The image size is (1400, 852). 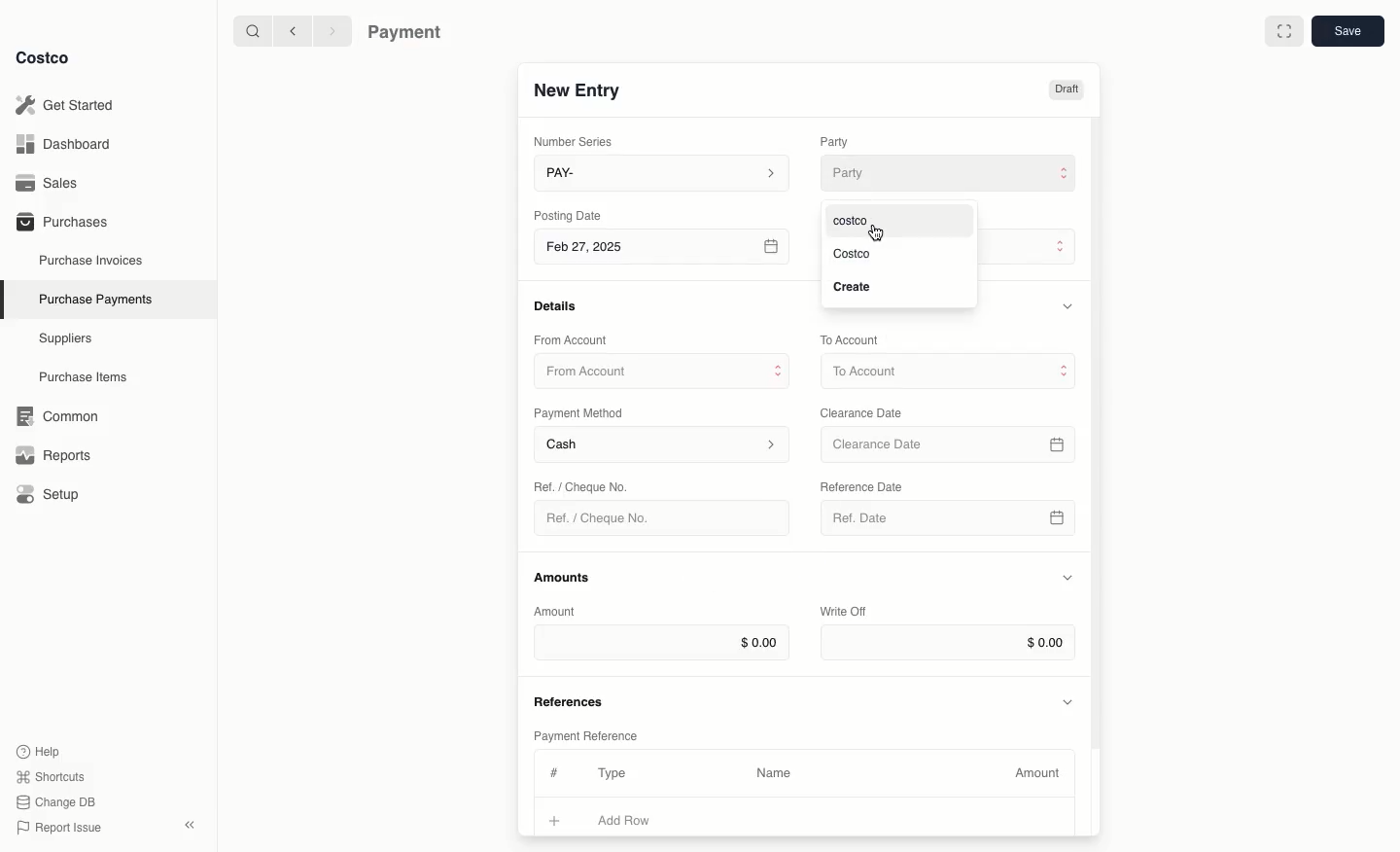 I want to click on Purchase Items, so click(x=86, y=377).